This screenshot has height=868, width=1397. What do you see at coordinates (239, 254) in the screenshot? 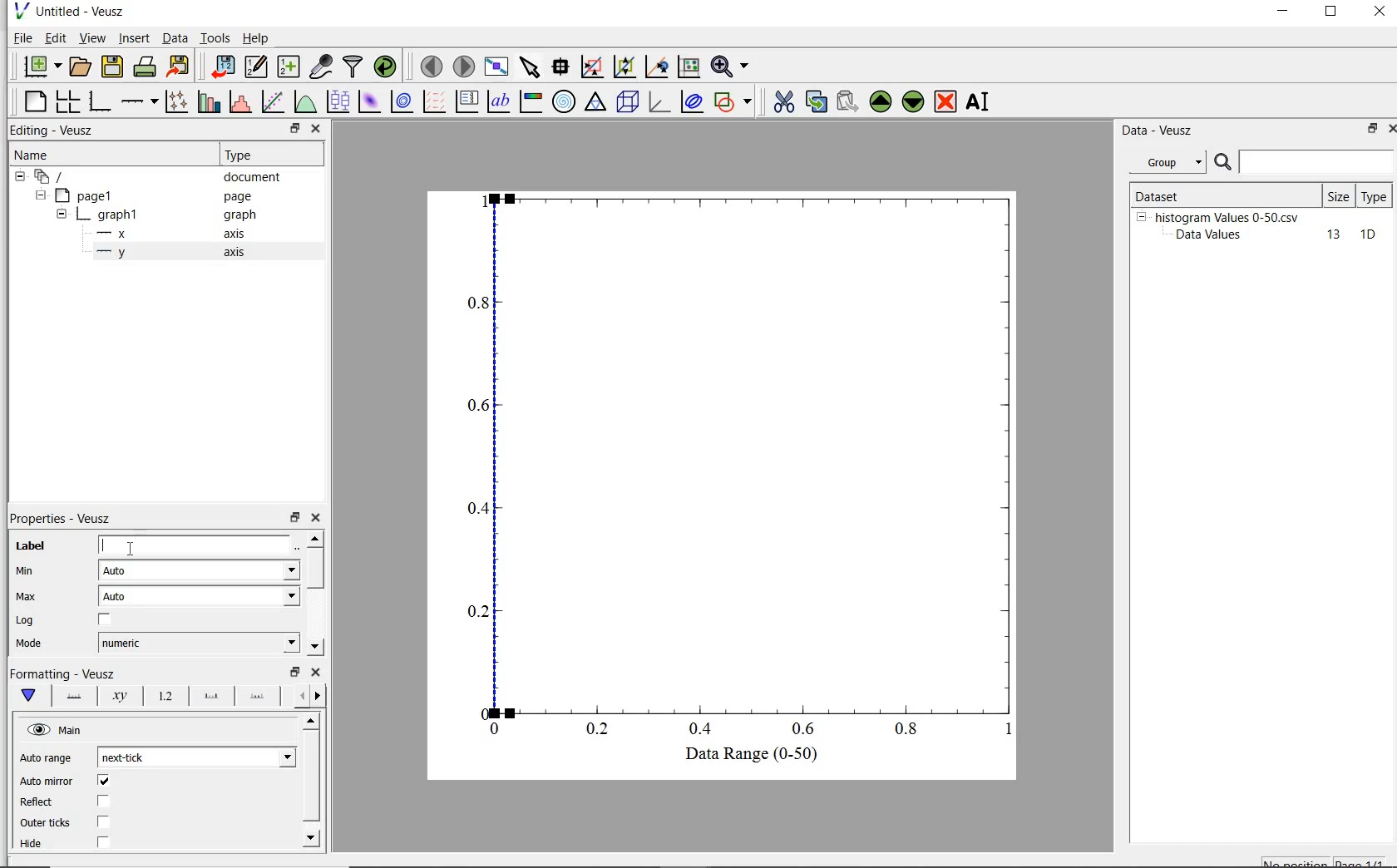
I see `axis` at bounding box center [239, 254].